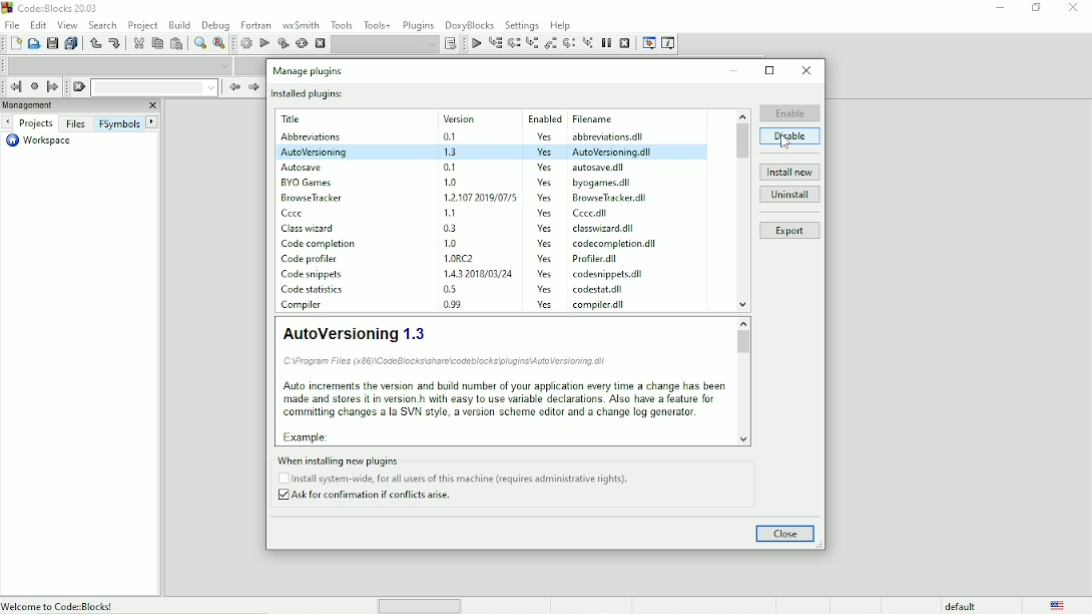 The width and height of the screenshot is (1092, 614). What do you see at coordinates (418, 23) in the screenshot?
I see `Plugins` at bounding box center [418, 23].